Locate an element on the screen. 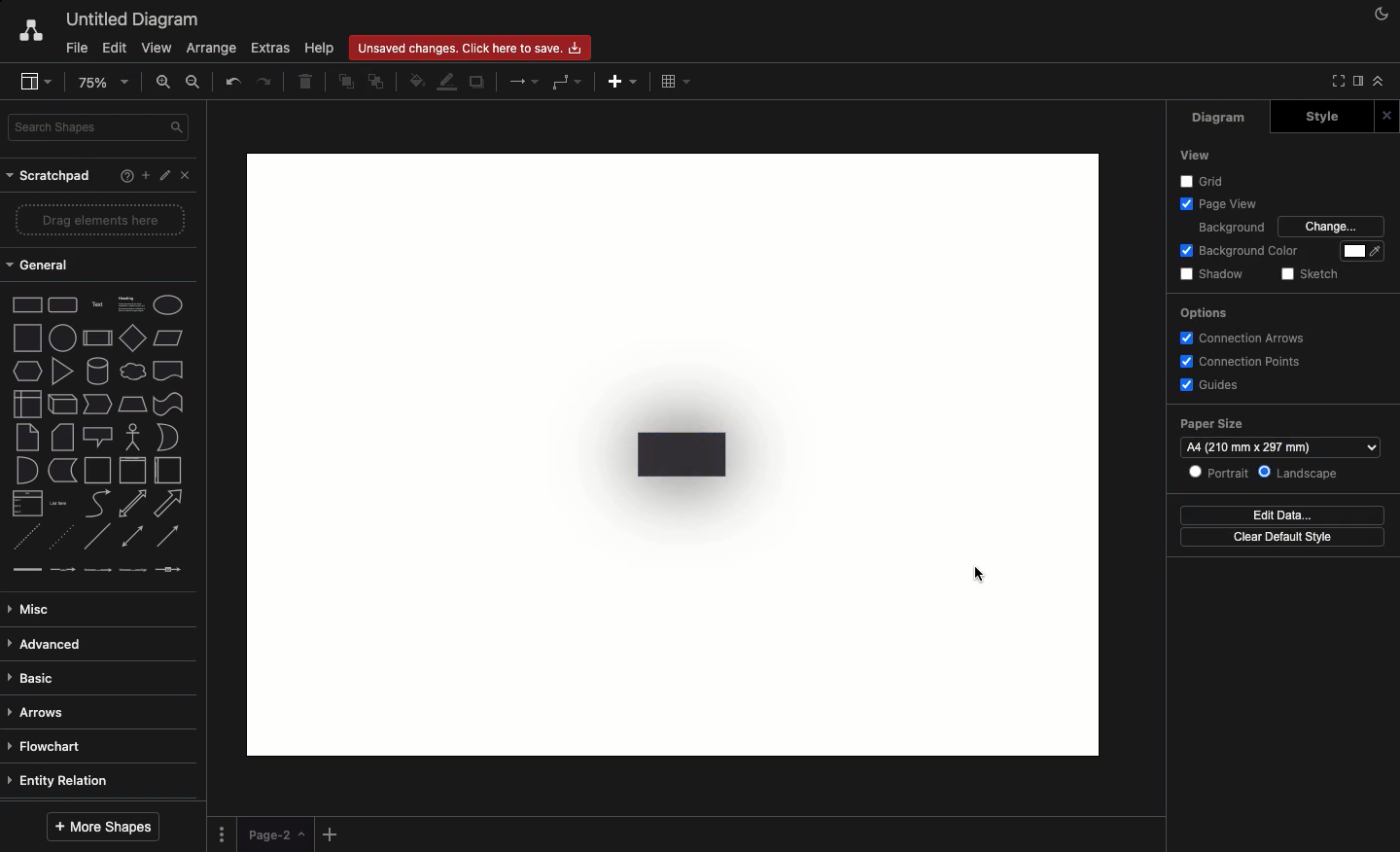 The height and width of the screenshot is (852, 1400). Zoom is located at coordinates (102, 83).